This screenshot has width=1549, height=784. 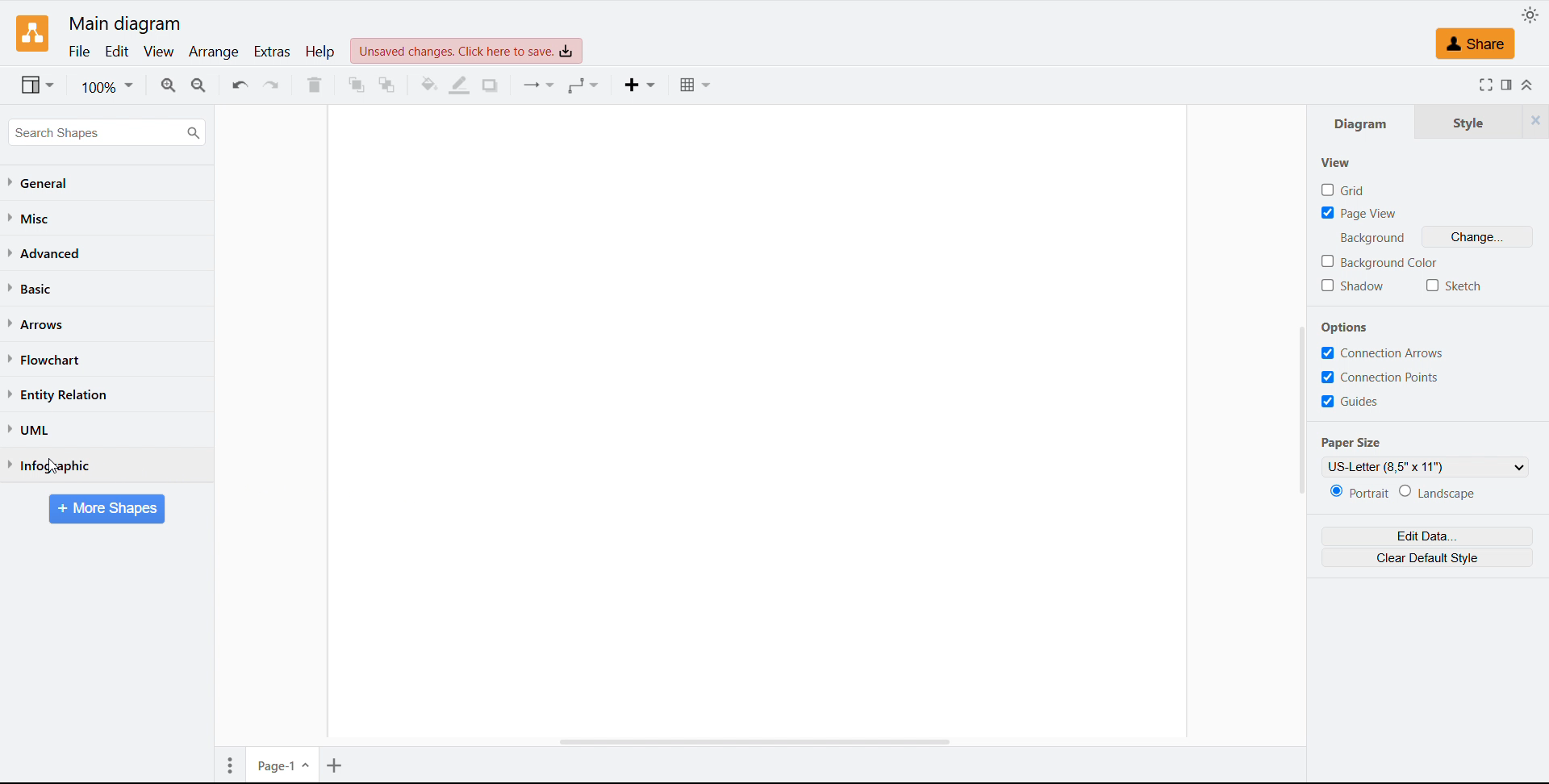 What do you see at coordinates (1485, 85) in the screenshot?
I see `Full screen ` at bounding box center [1485, 85].